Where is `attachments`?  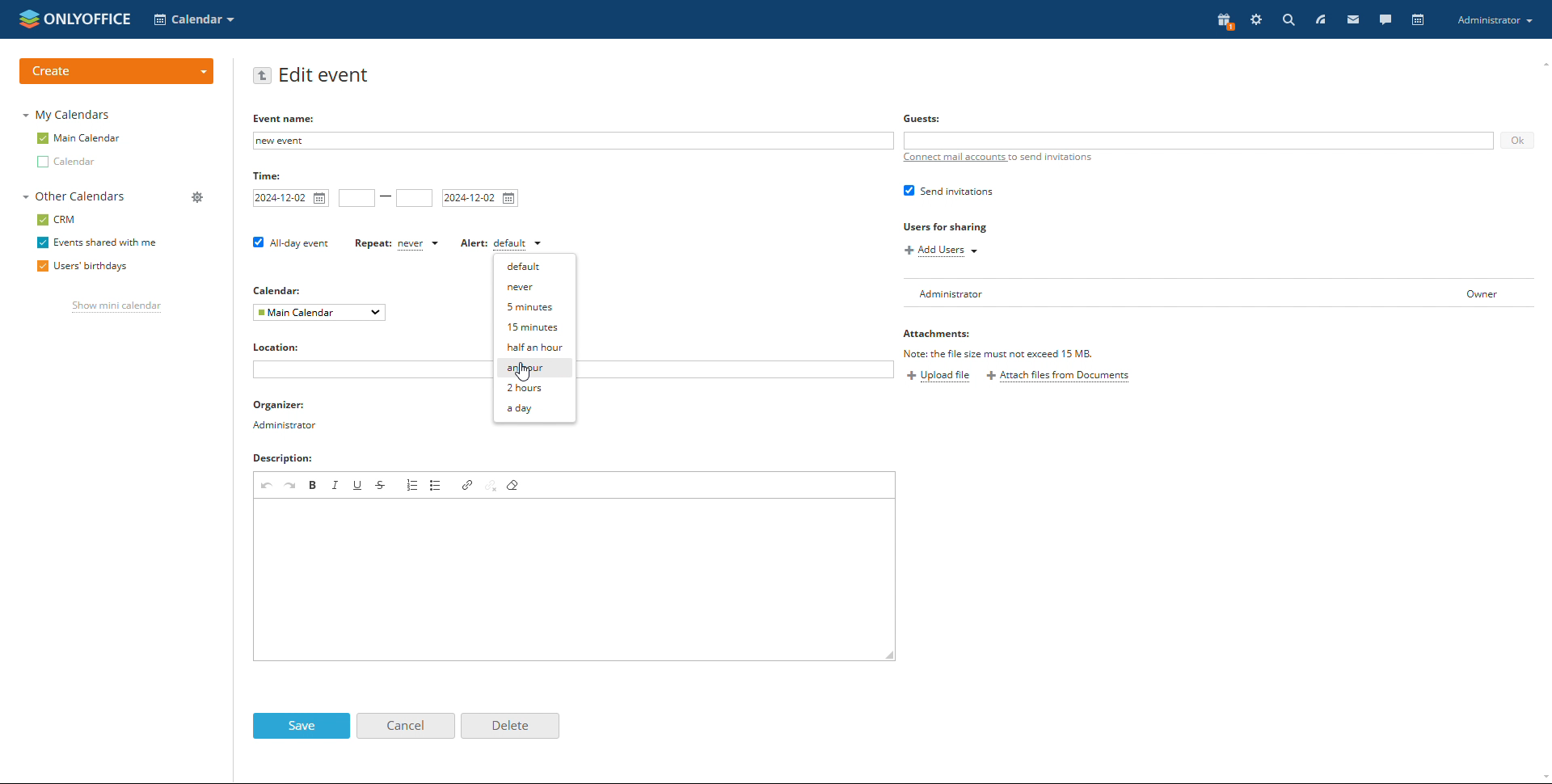 attachments is located at coordinates (938, 335).